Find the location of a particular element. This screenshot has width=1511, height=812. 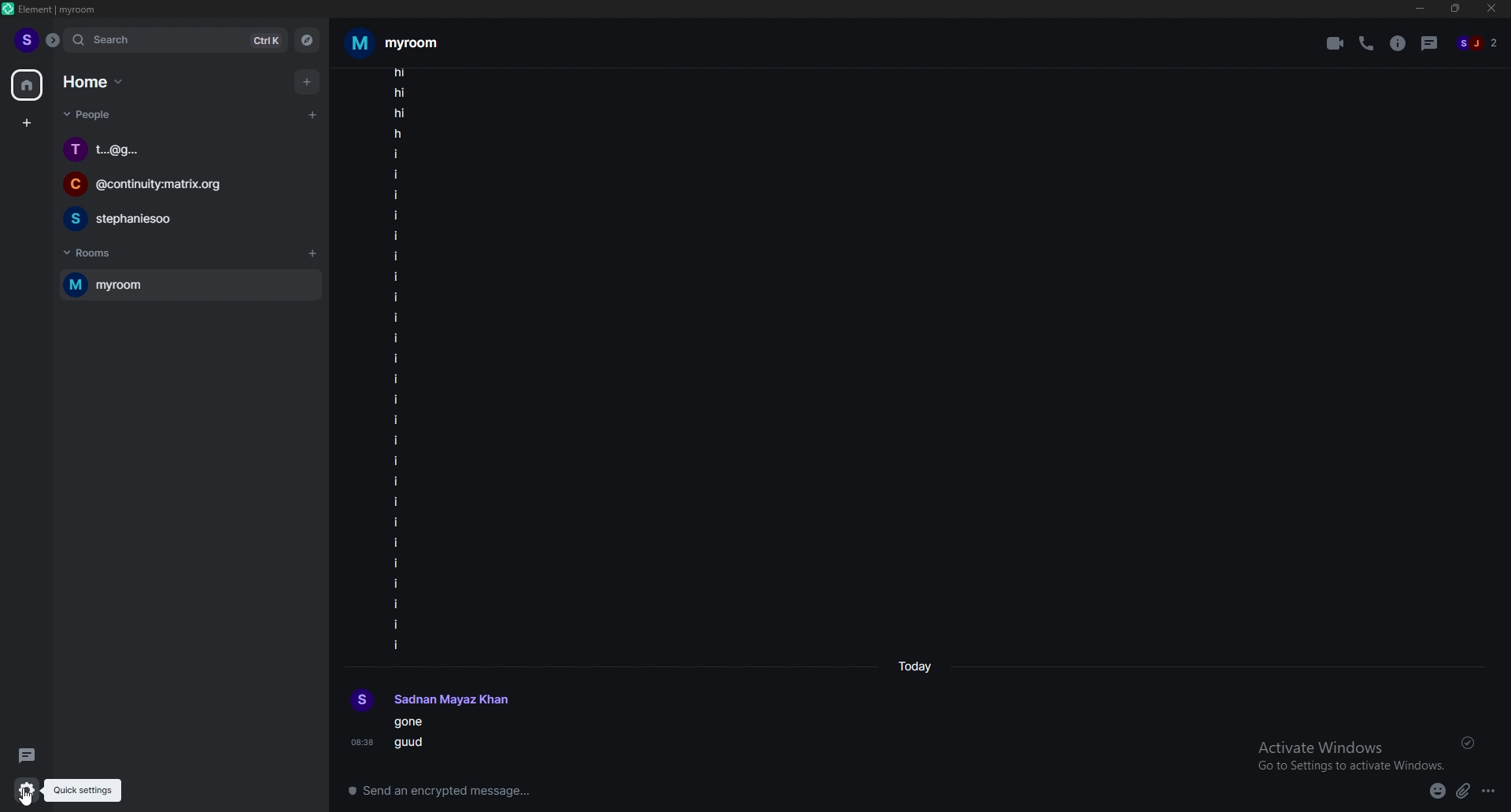

create a space is located at coordinates (28, 123).